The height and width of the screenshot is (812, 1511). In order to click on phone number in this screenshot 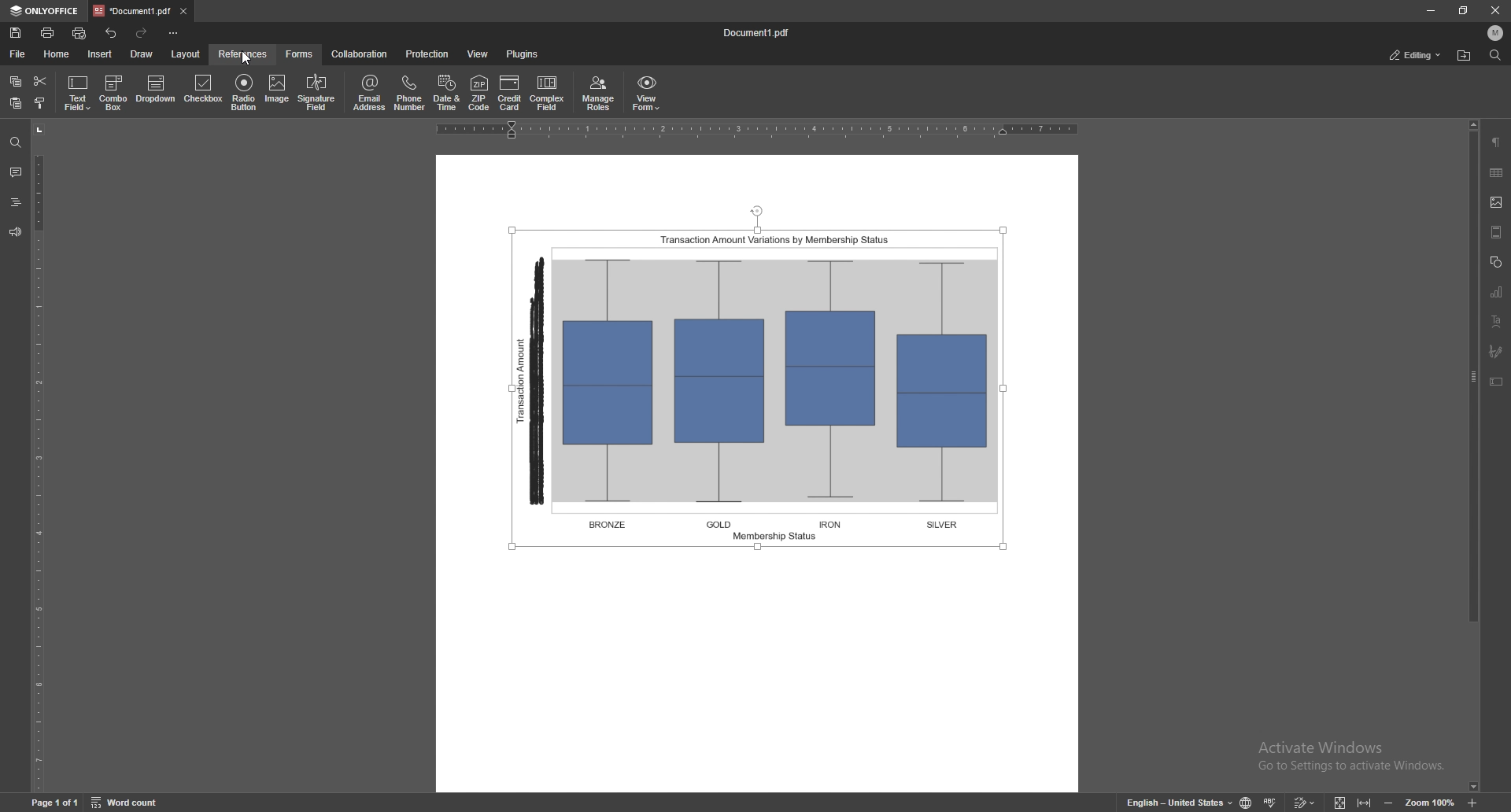, I will do `click(411, 92)`.